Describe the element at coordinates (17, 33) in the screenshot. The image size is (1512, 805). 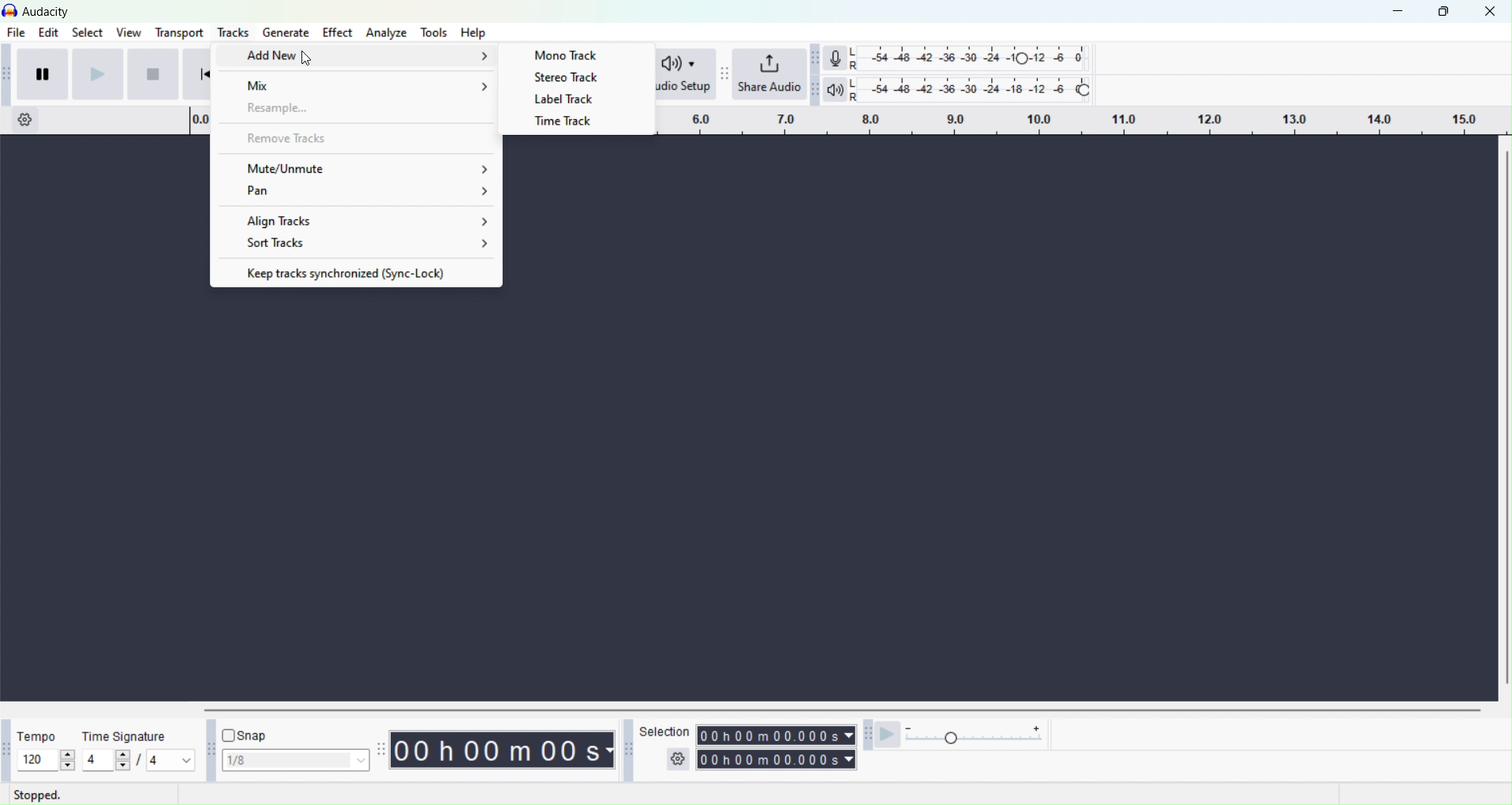
I see `File` at that location.